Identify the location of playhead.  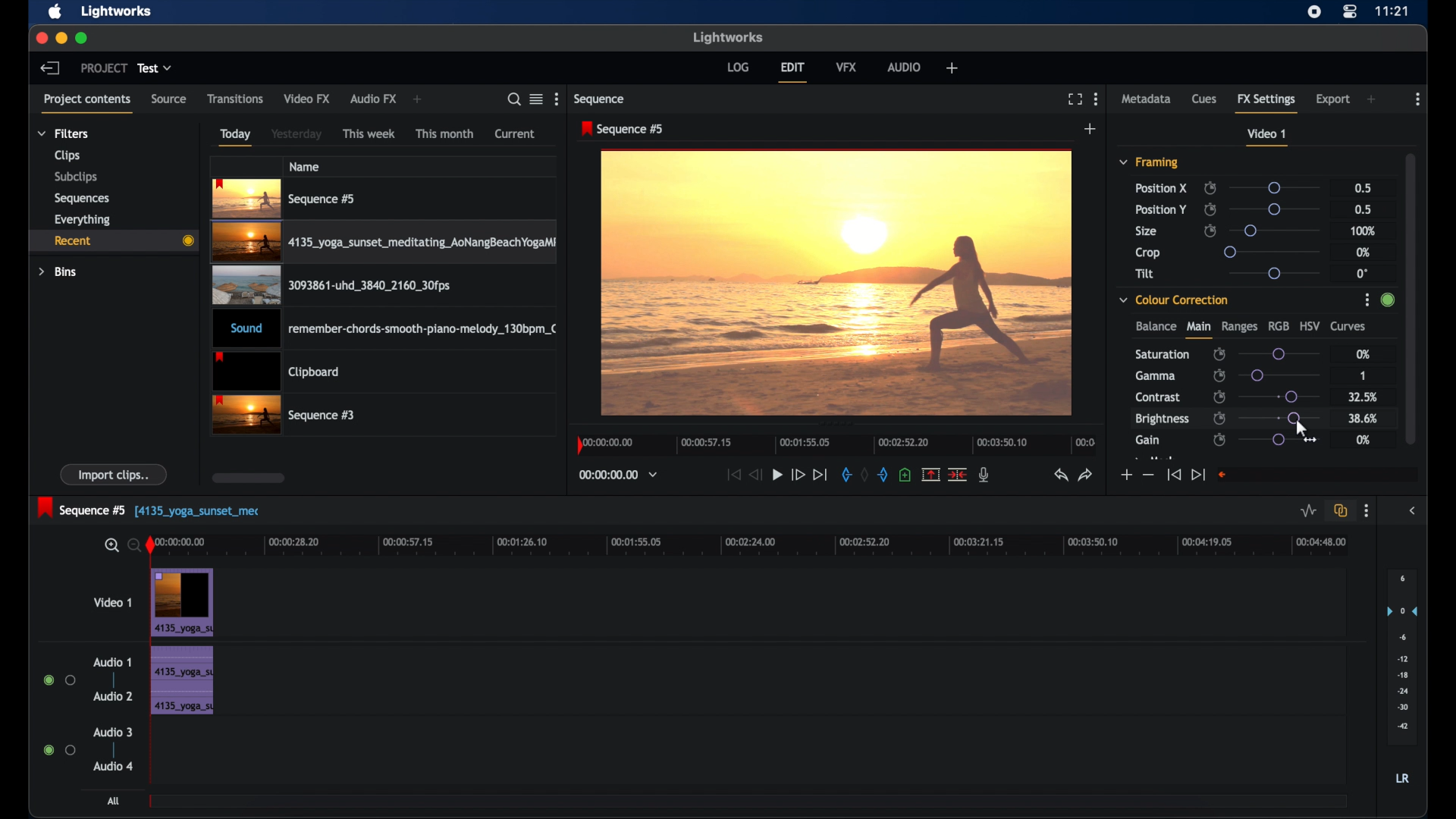
(151, 546).